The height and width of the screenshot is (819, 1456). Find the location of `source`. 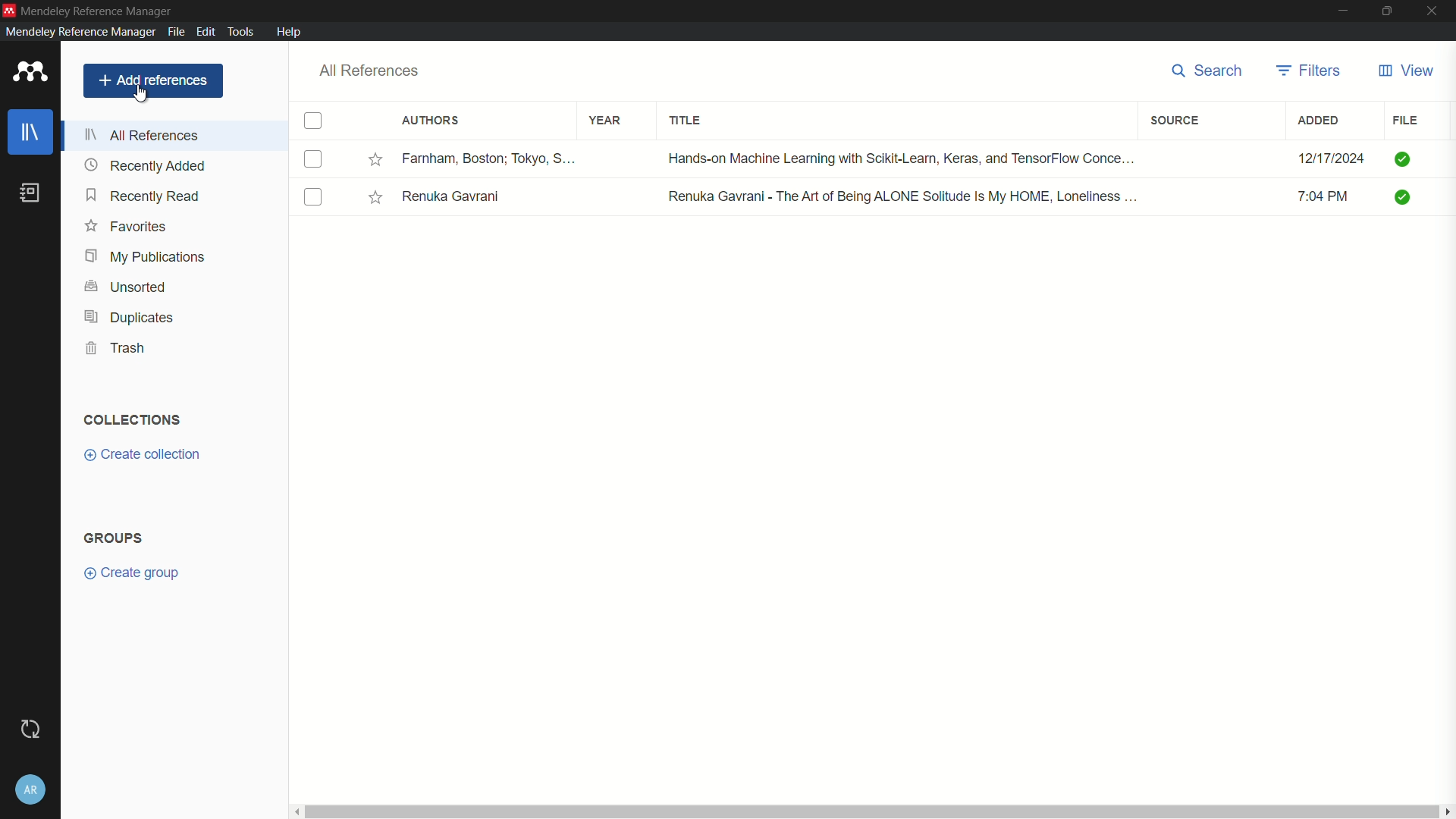

source is located at coordinates (1178, 121).